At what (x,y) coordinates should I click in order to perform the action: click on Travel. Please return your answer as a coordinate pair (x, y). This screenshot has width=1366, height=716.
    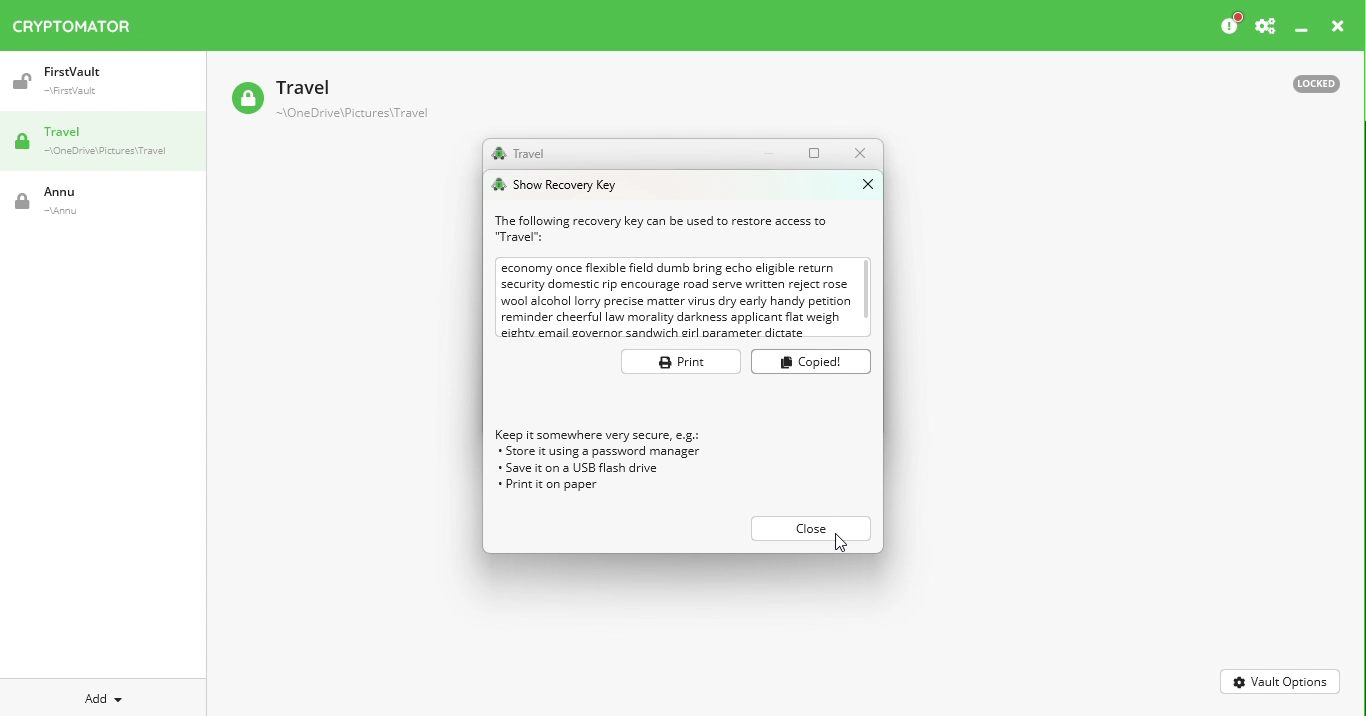
    Looking at the image, I should click on (518, 154).